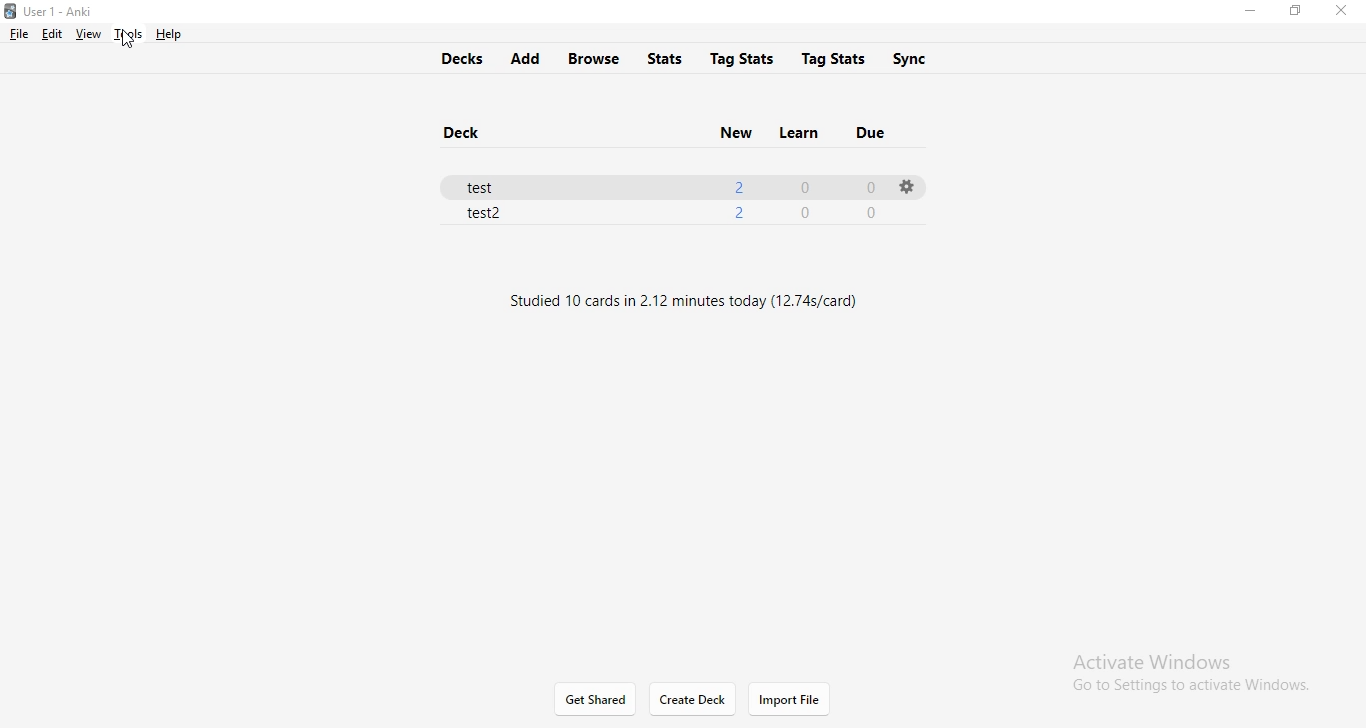 This screenshot has width=1366, height=728. Describe the element at coordinates (874, 130) in the screenshot. I see `due` at that location.